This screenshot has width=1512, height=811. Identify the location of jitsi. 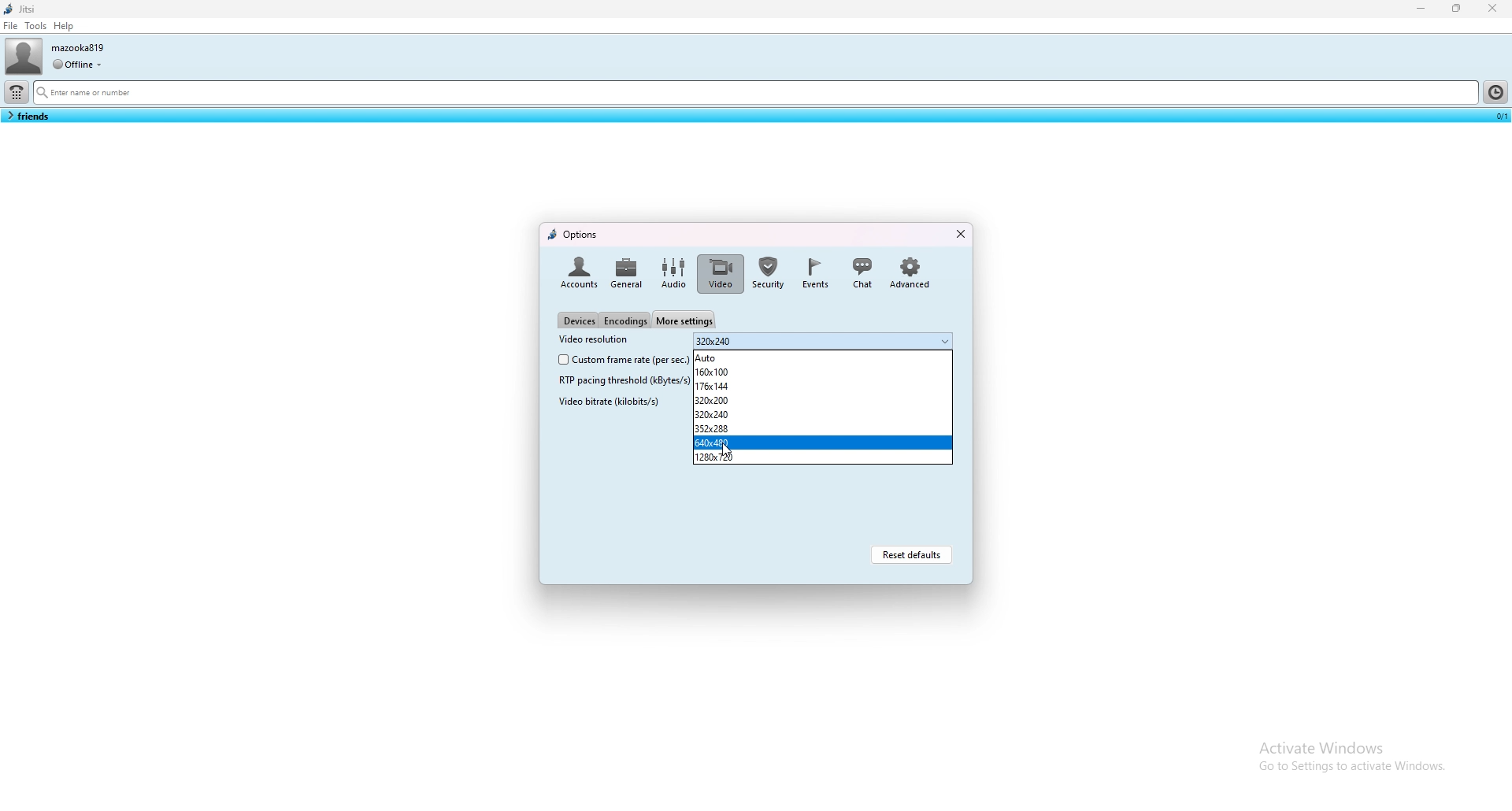
(23, 9).